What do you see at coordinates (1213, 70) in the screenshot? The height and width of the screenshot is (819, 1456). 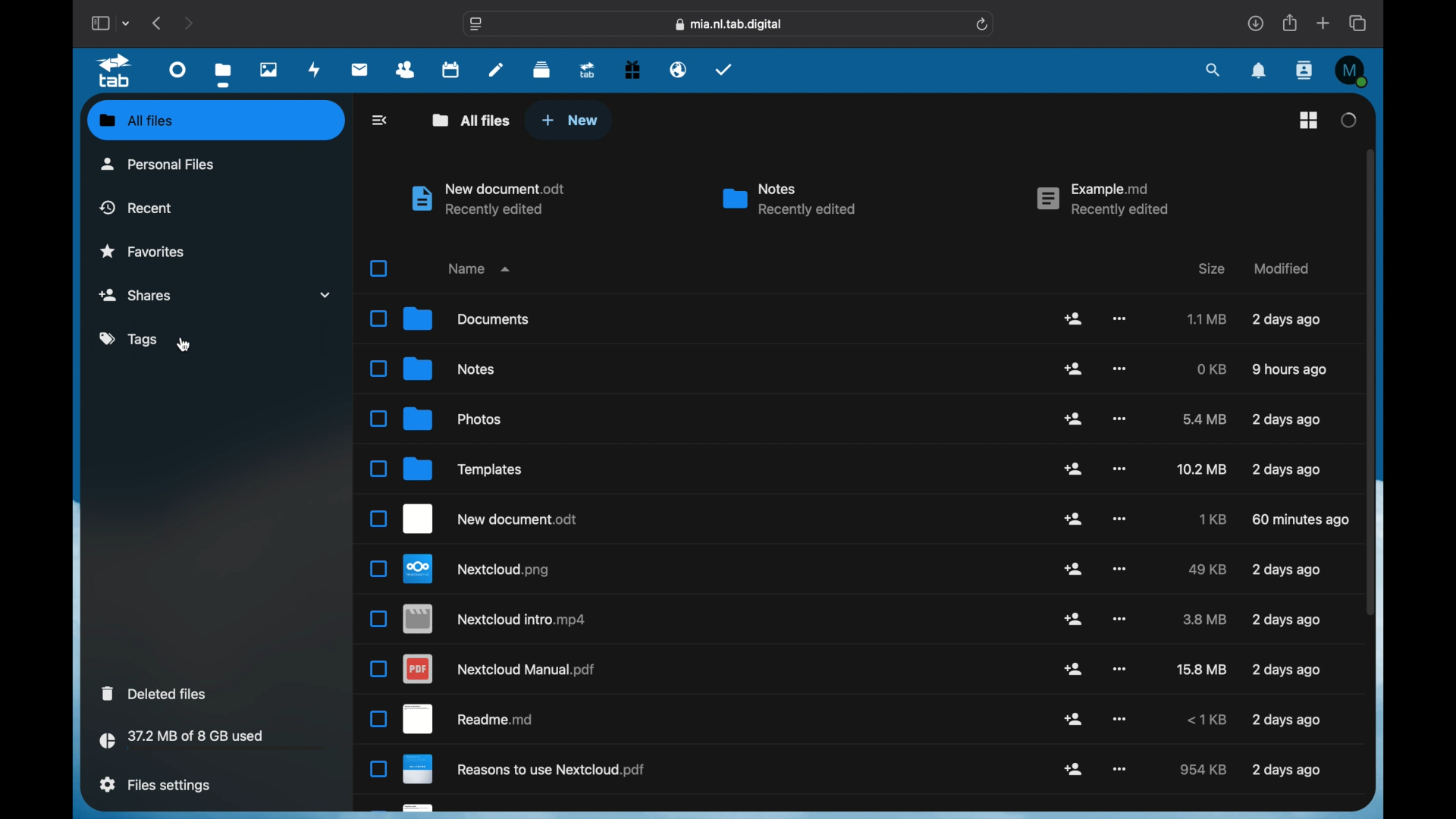 I see `search` at bounding box center [1213, 70].